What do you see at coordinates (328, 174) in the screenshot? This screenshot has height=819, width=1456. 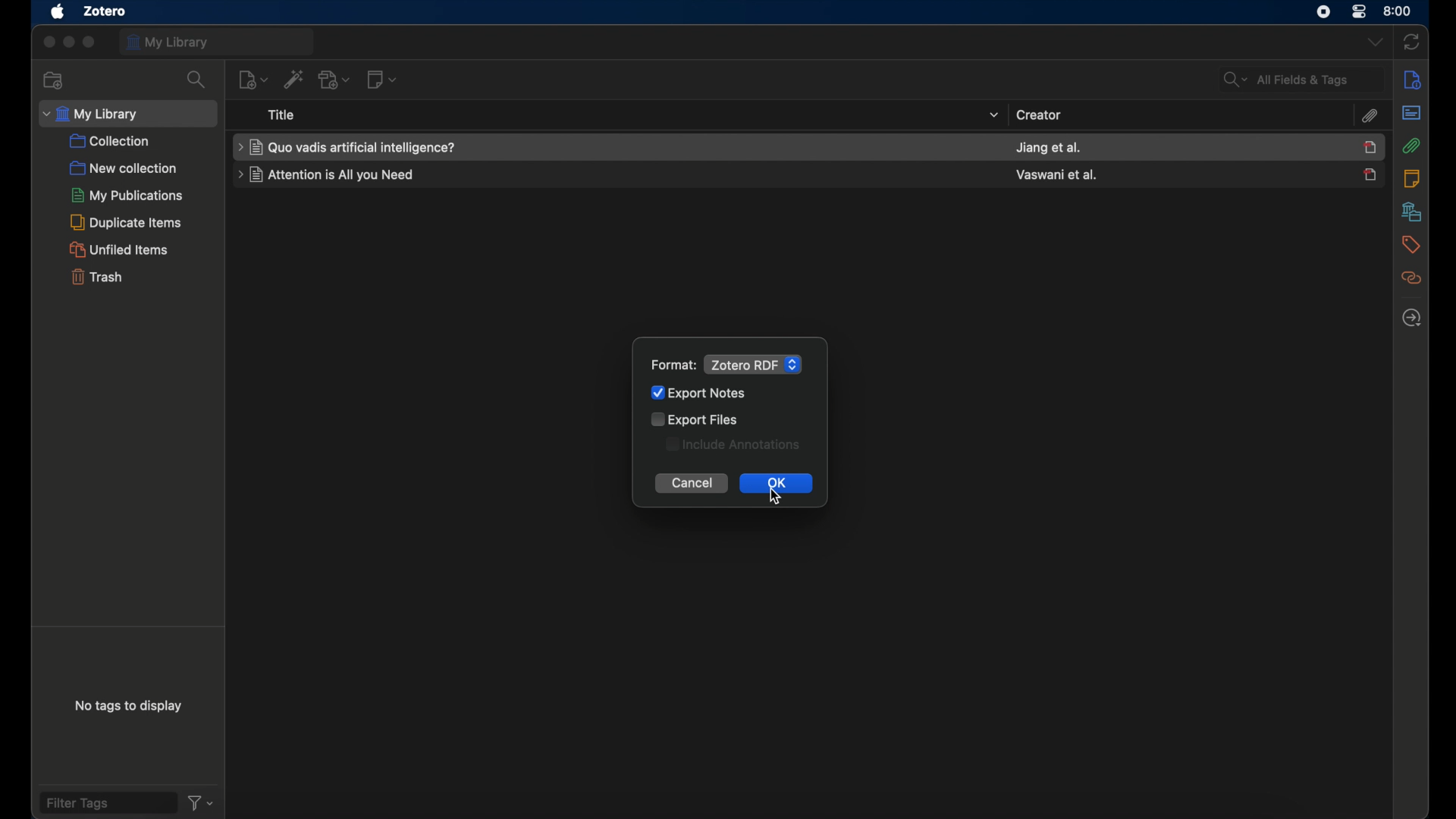 I see `item title` at bounding box center [328, 174].